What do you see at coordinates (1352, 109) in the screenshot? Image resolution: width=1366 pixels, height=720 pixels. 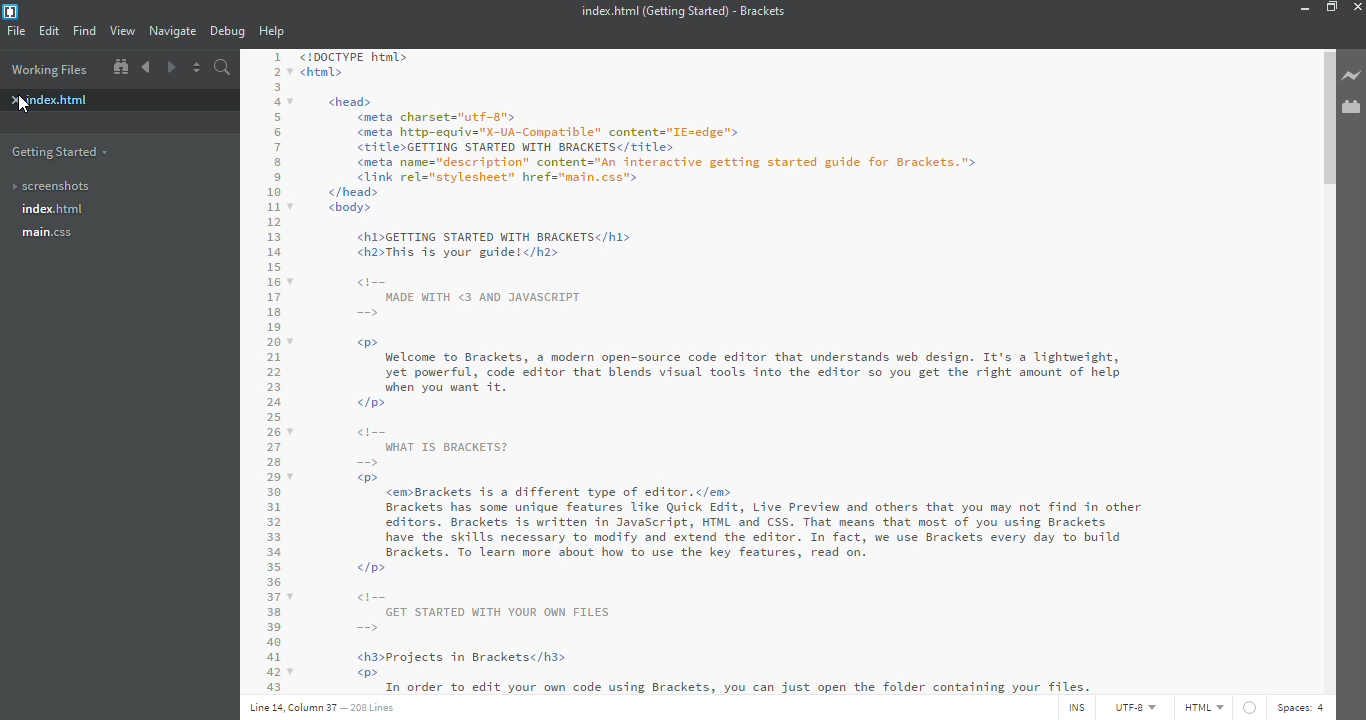 I see `extension manager` at bounding box center [1352, 109].